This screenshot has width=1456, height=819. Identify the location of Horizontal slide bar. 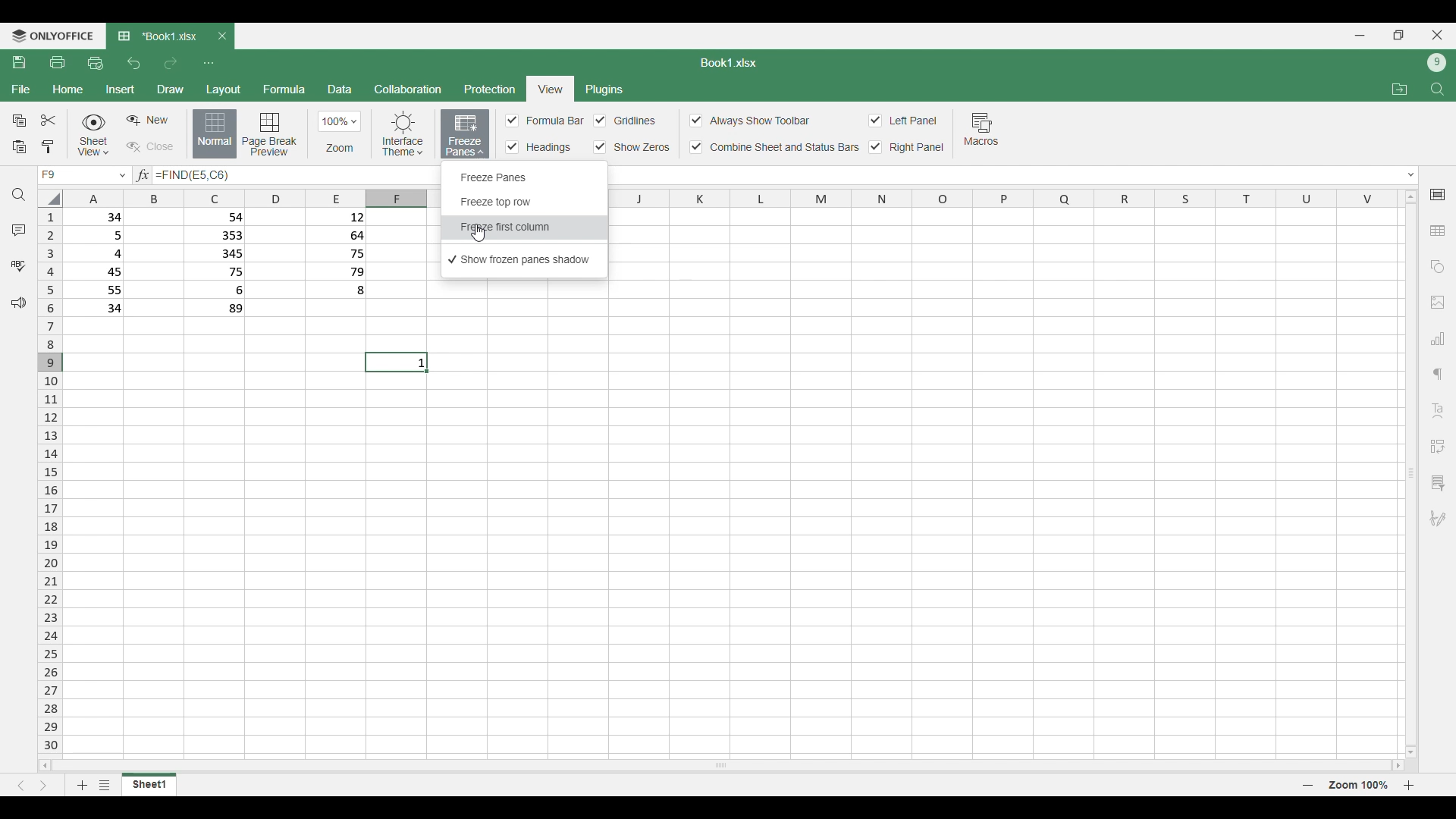
(730, 767).